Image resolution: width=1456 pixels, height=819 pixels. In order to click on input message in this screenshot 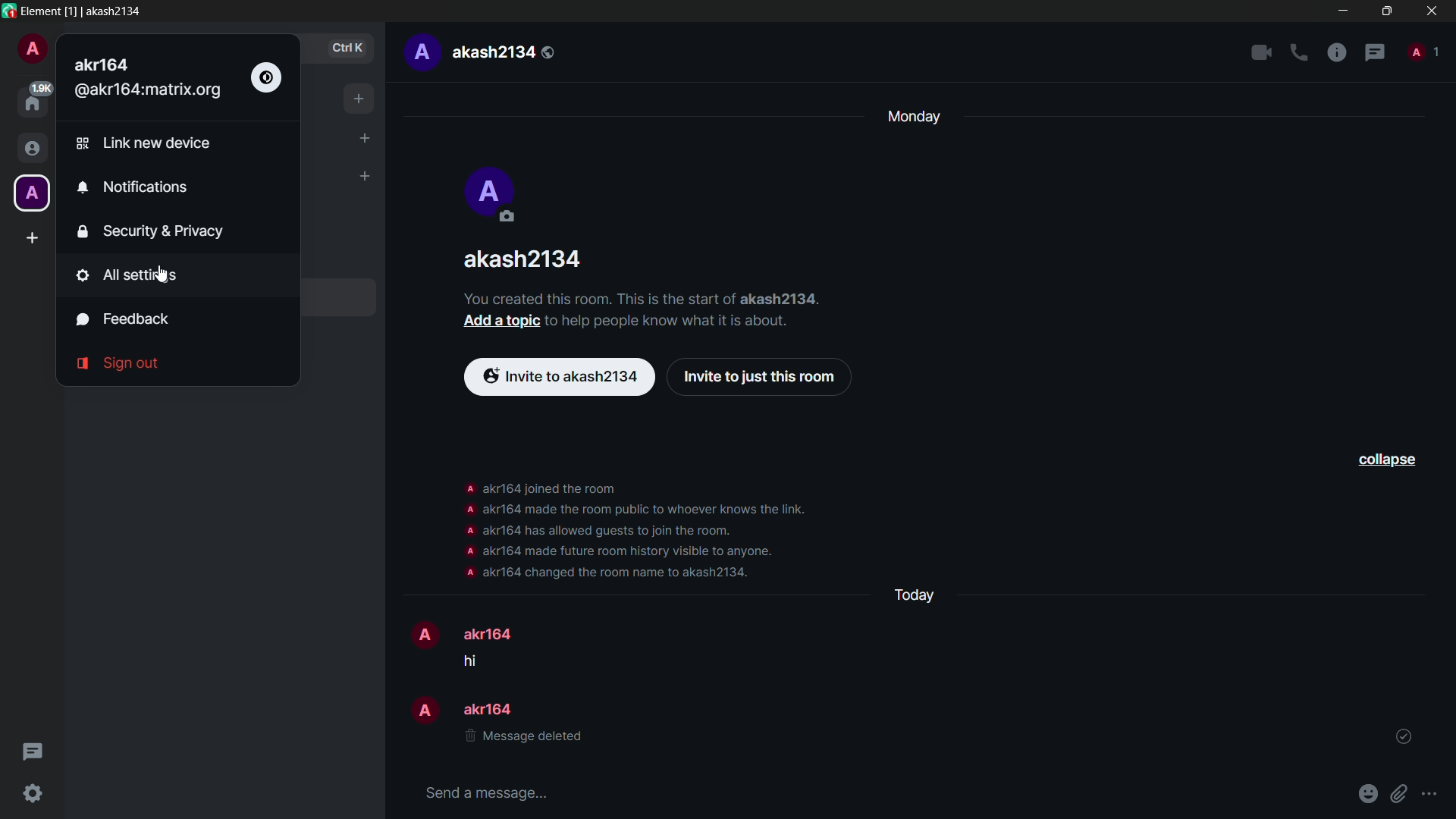, I will do `click(485, 792)`.